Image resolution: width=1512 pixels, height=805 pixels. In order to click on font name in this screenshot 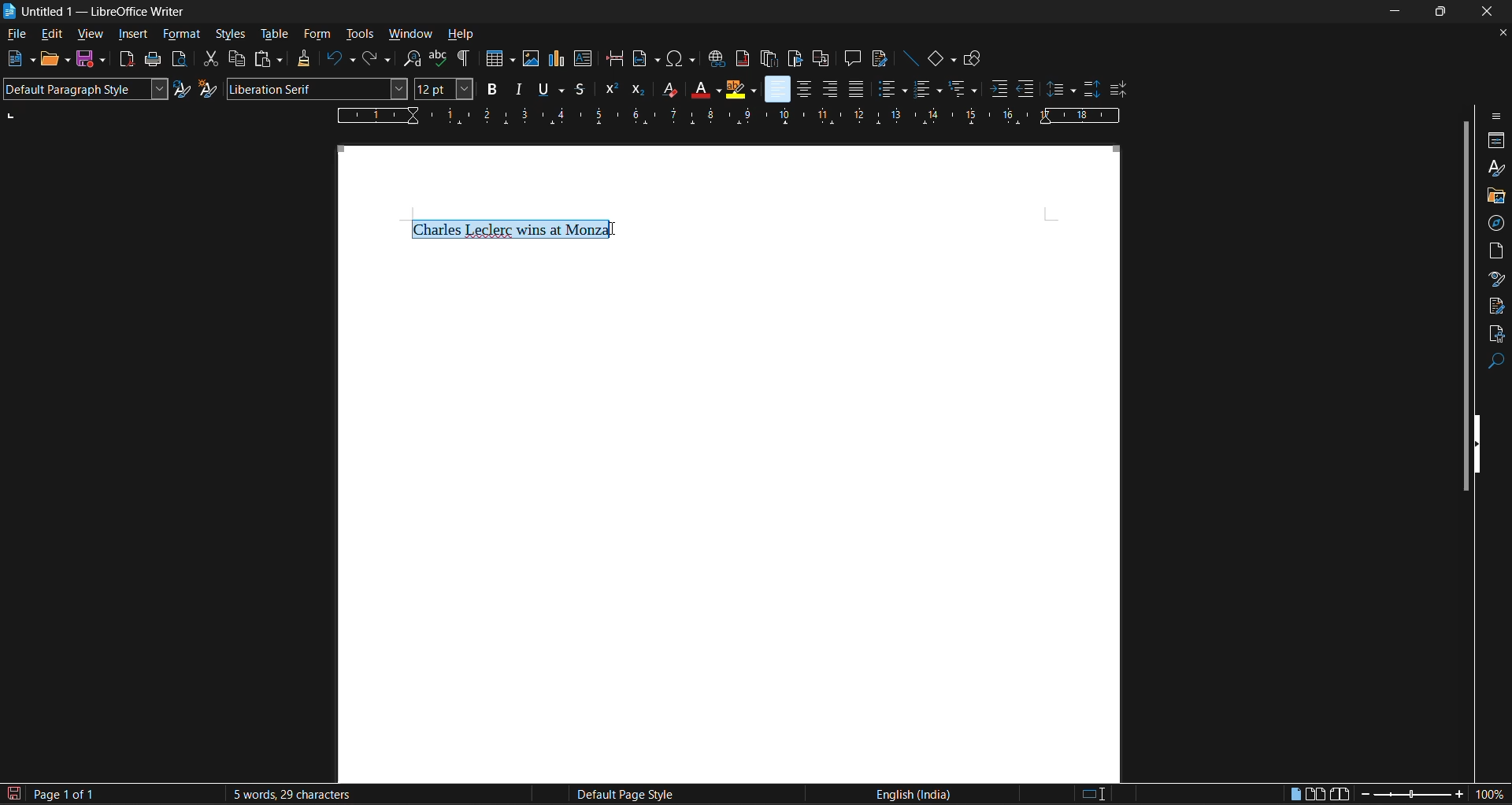, I will do `click(316, 88)`.